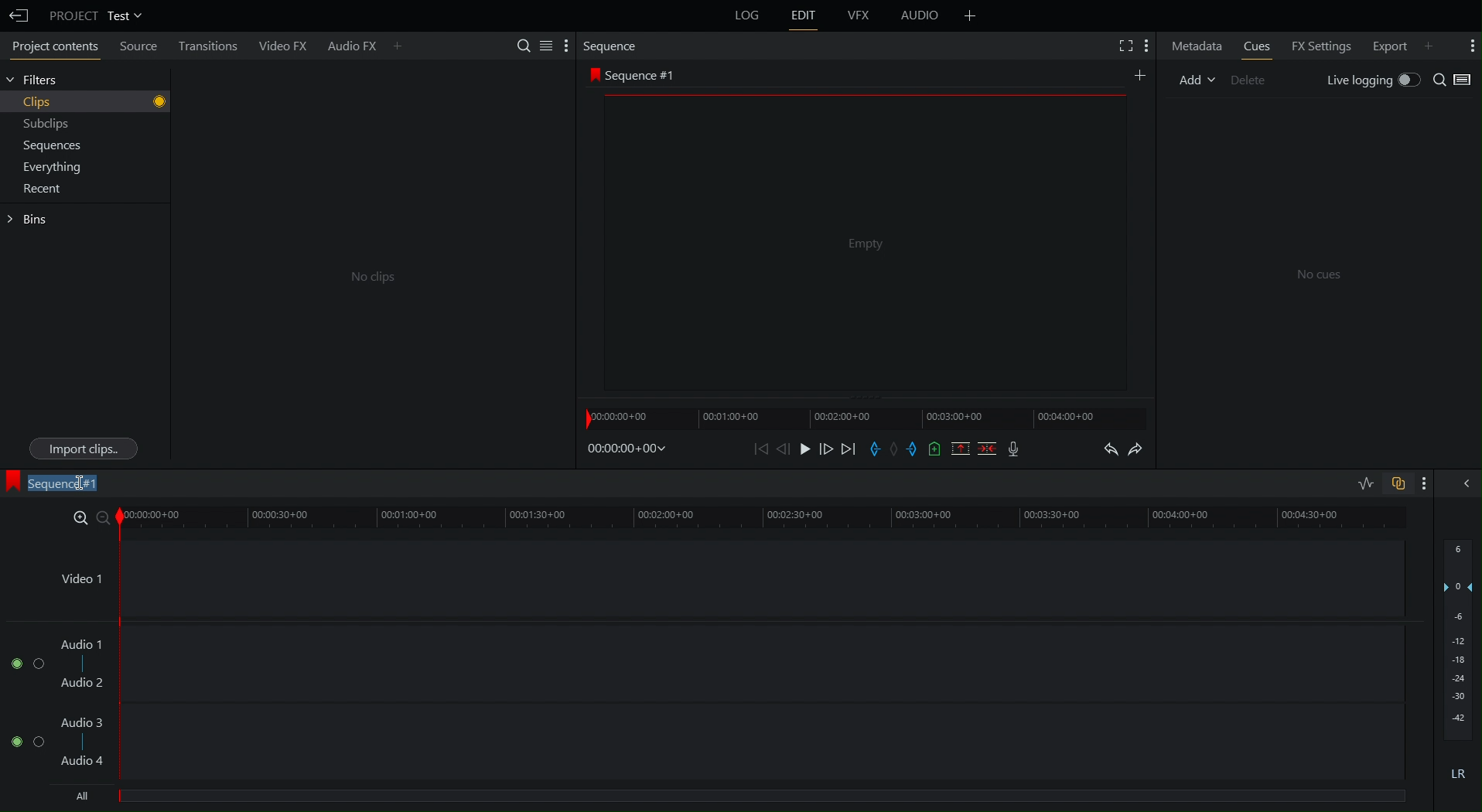 The height and width of the screenshot is (812, 1482). What do you see at coordinates (862, 15) in the screenshot?
I see `VFX` at bounding box center [862, 15].